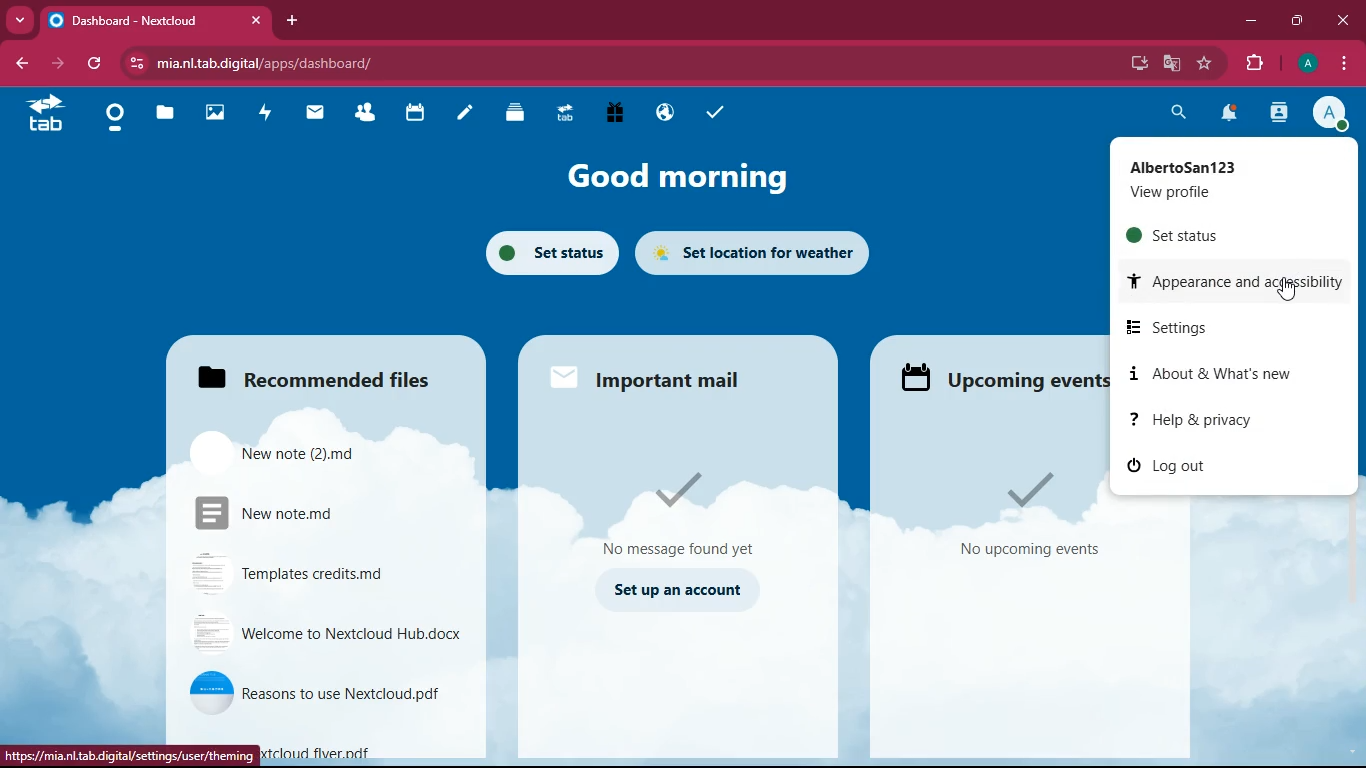 The image size is (1366, 768). Describe the element at coordinates (508, 113) in the screenshot. I see `layers` at that location.